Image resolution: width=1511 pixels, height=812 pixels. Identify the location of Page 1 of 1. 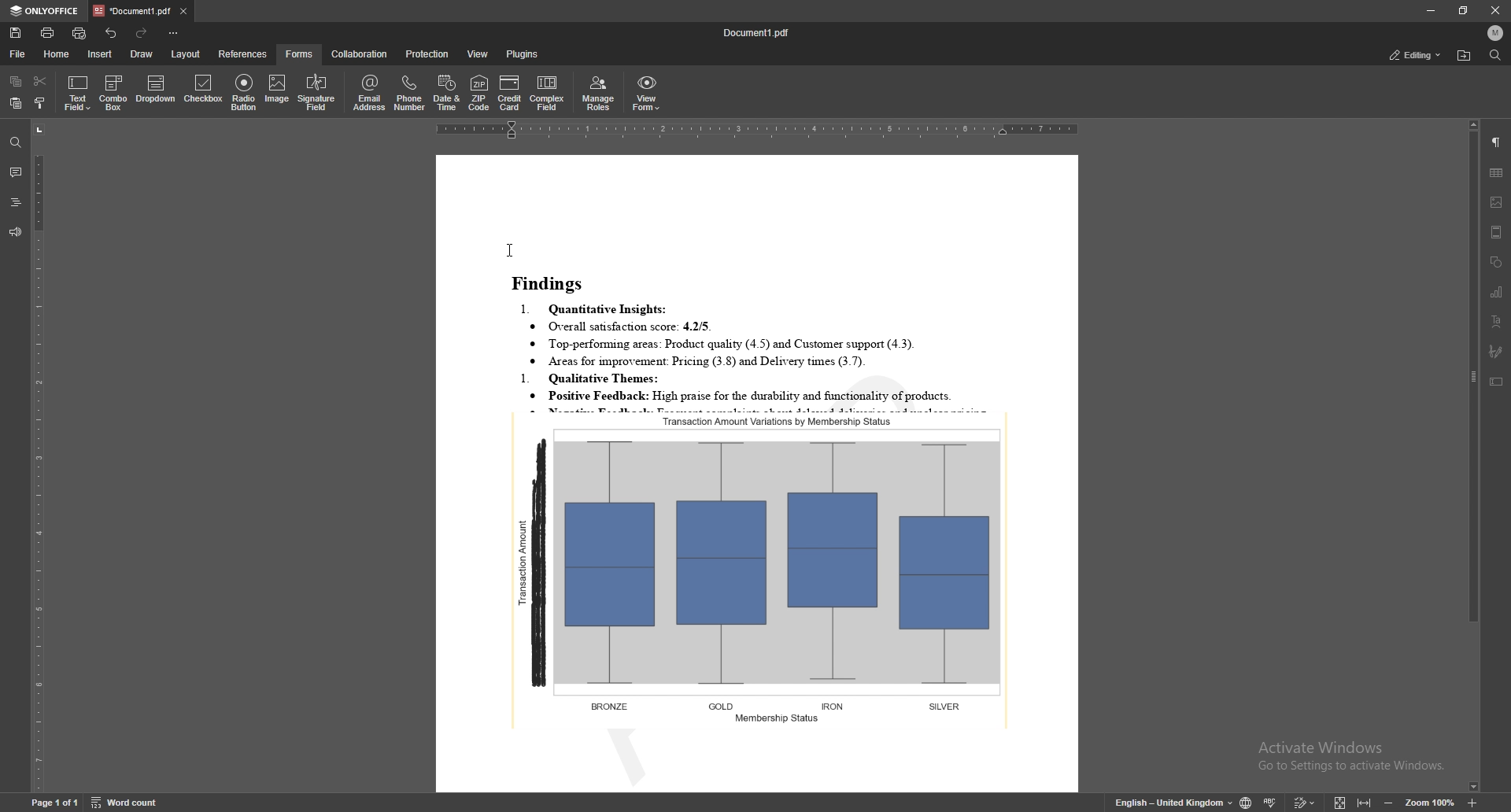
(42, 805).